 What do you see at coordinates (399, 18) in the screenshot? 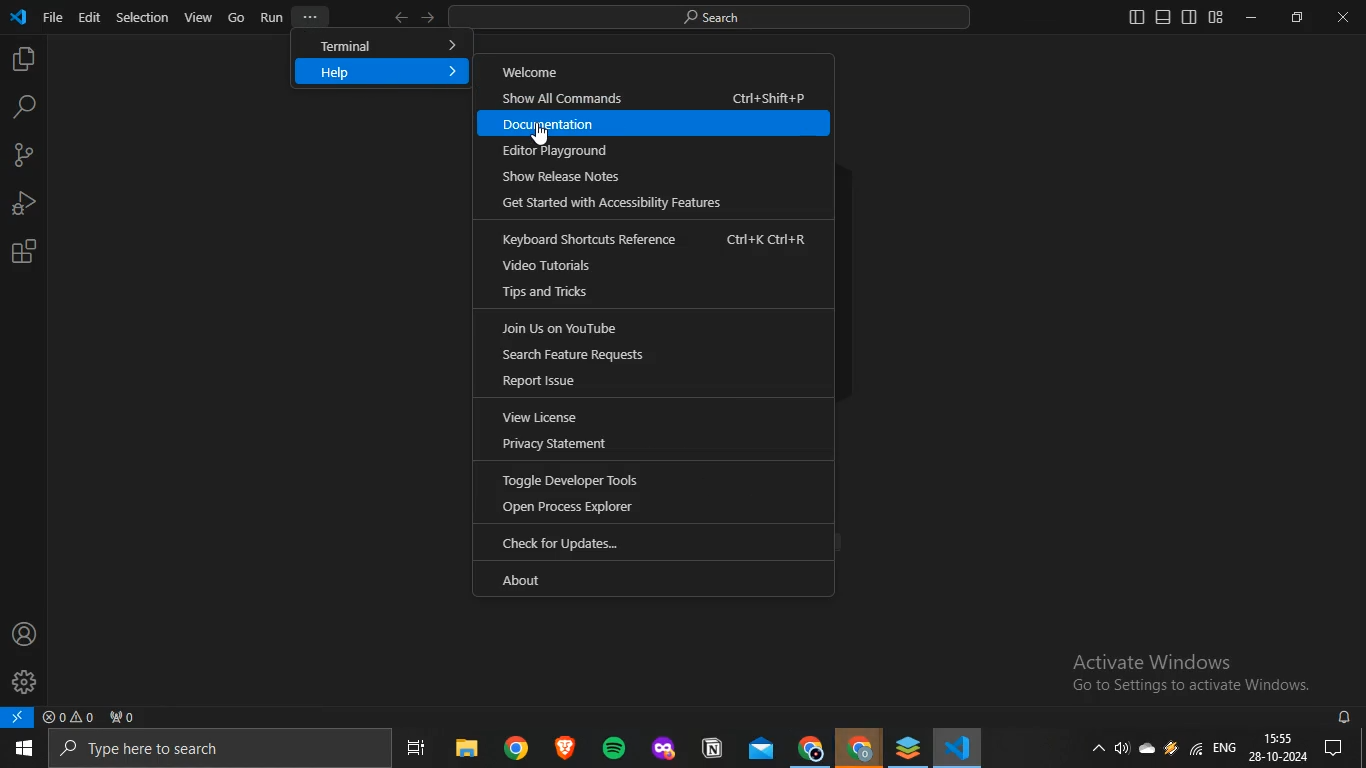
I see `back` at bounding box center [399, 18].